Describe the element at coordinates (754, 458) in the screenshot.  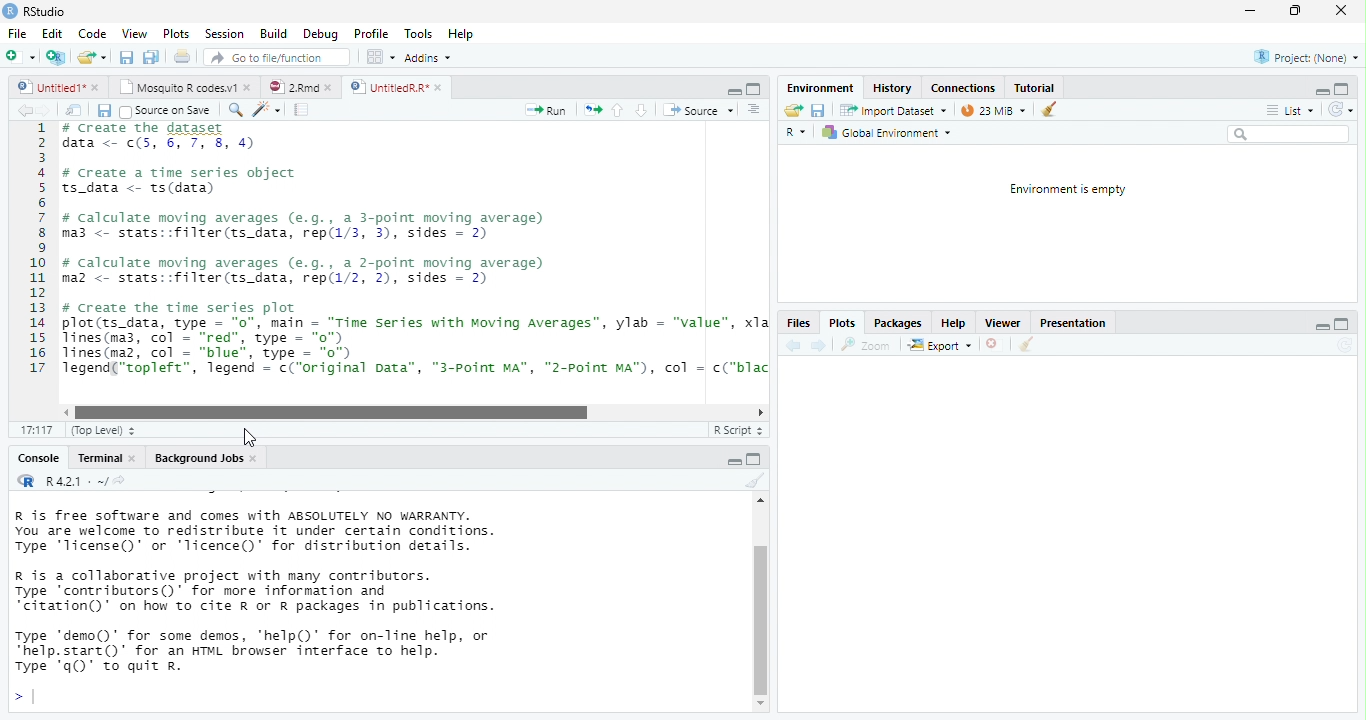
I see `minimize` at that location.